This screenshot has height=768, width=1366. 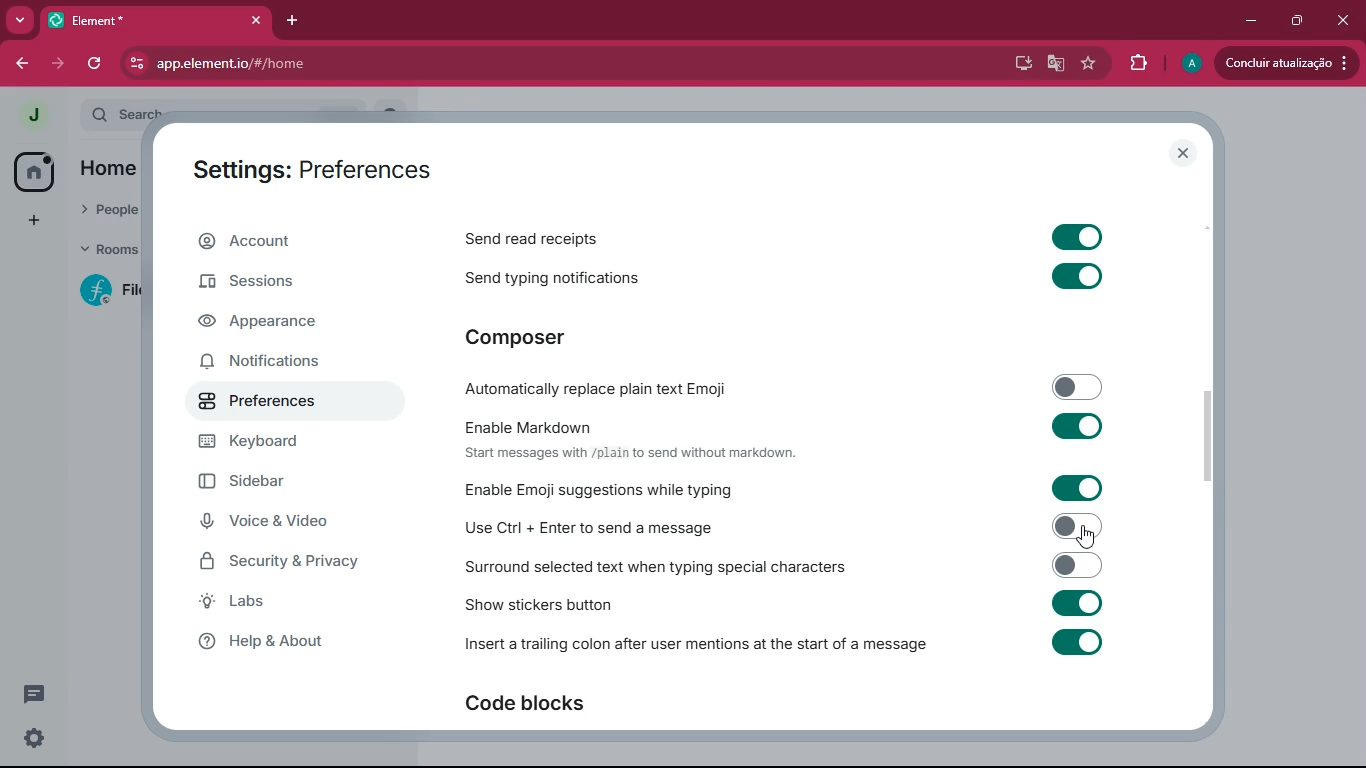 What do you see at coordinates (546, 280) in the screenshot?
I see `send typing notifications` at bounding box center [546, 280].